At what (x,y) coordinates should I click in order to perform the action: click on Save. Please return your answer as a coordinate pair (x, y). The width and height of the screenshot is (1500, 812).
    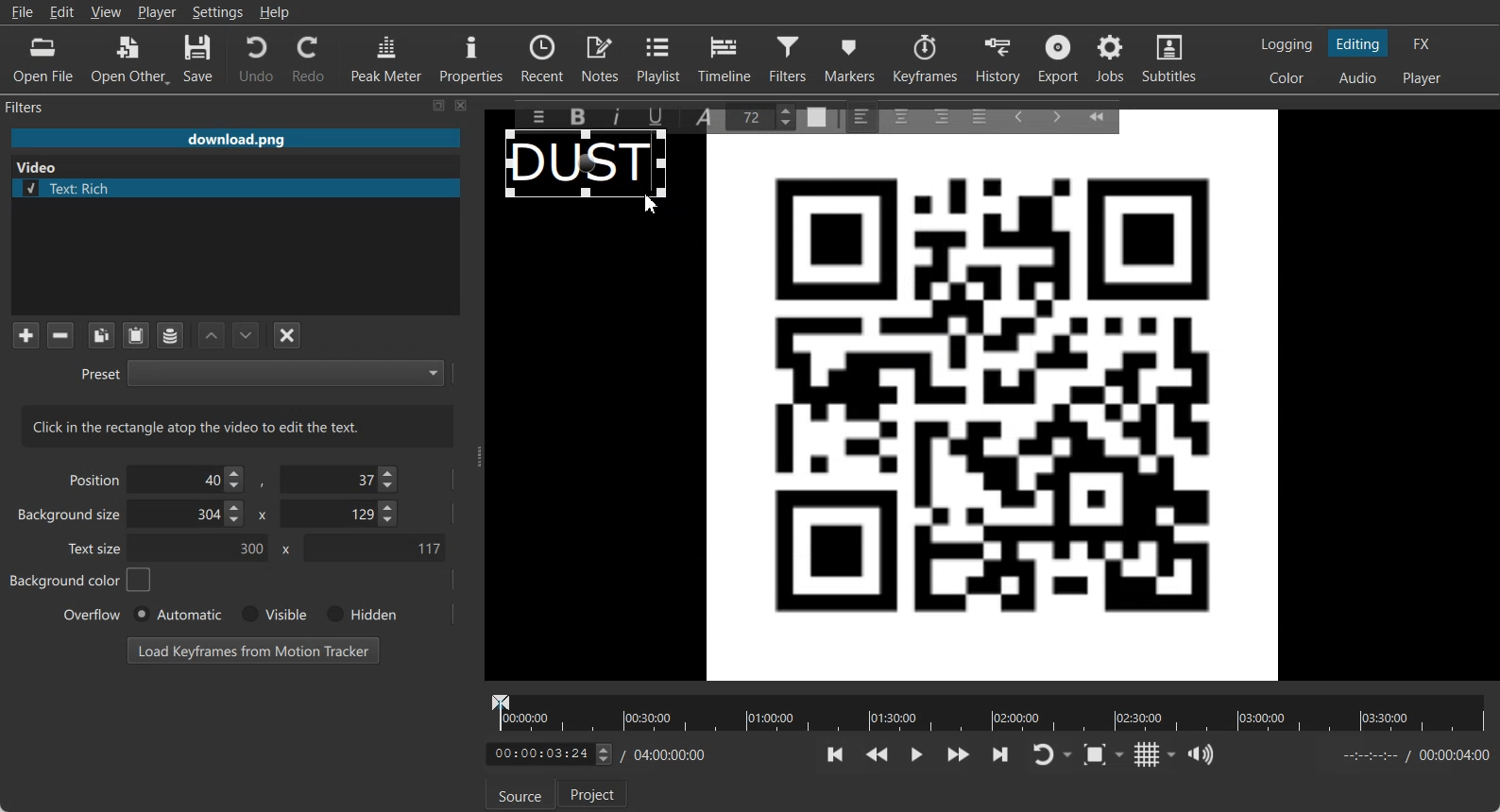
    Looking at the image, I should click on (198, 59).